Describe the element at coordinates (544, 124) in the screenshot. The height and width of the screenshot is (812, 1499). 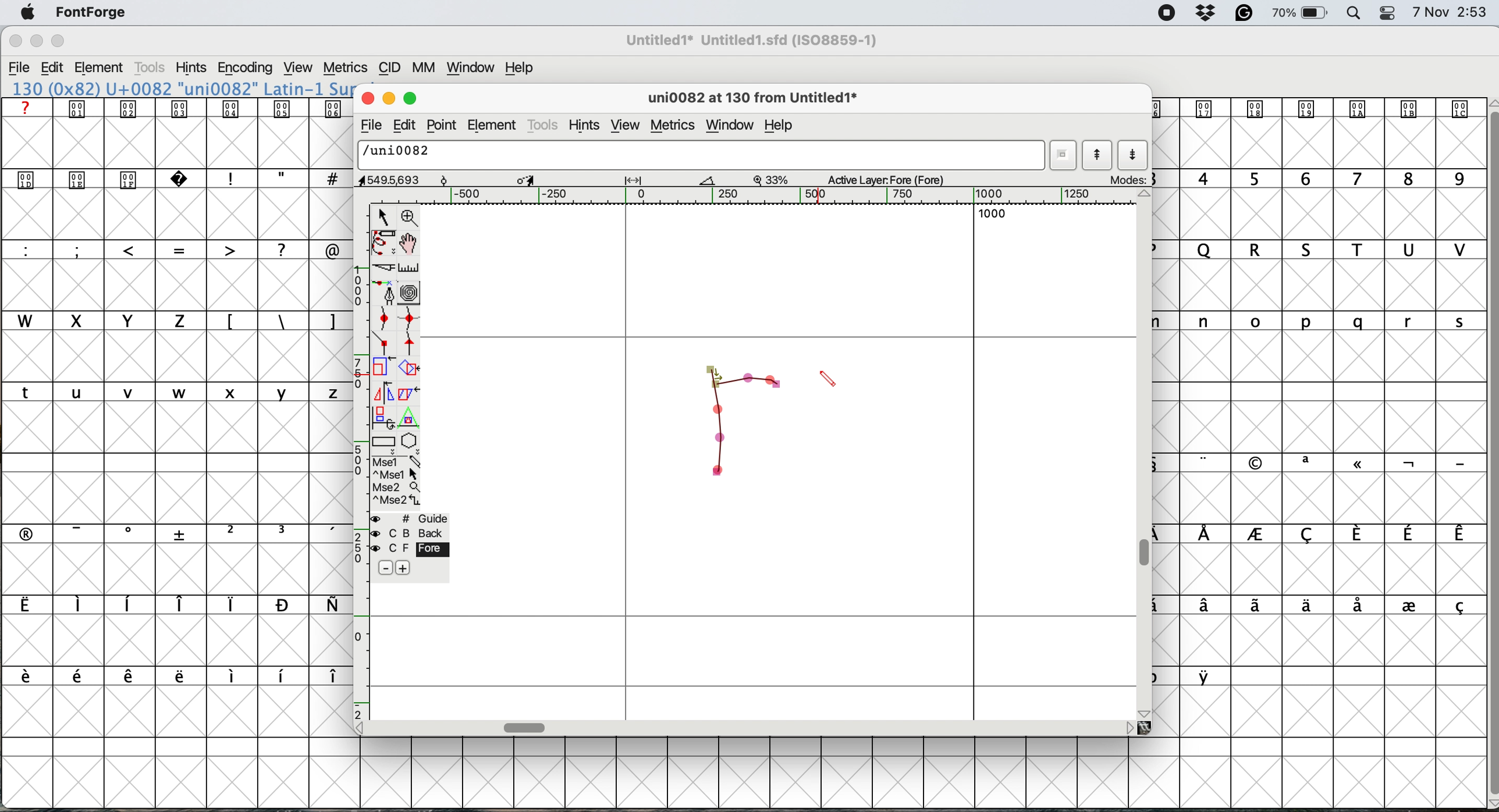
I see `tools` at that location.